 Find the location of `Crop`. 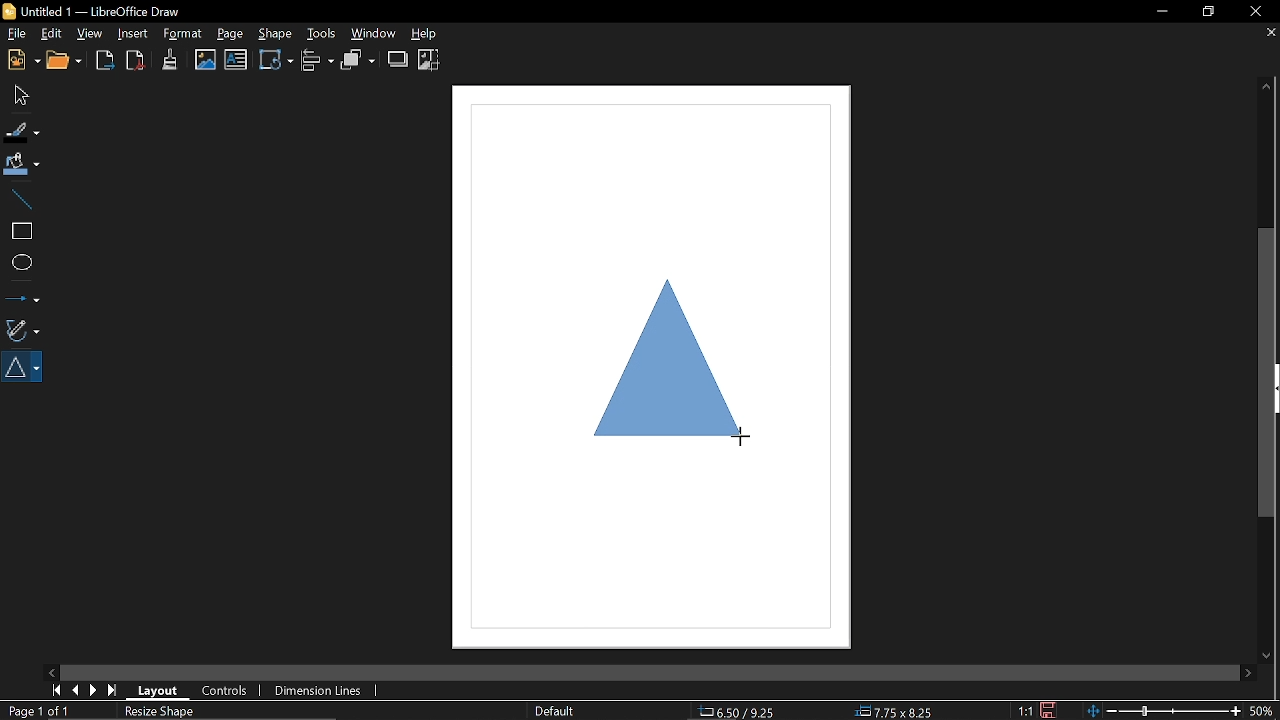

Crop is located at coordinates (429, 60).